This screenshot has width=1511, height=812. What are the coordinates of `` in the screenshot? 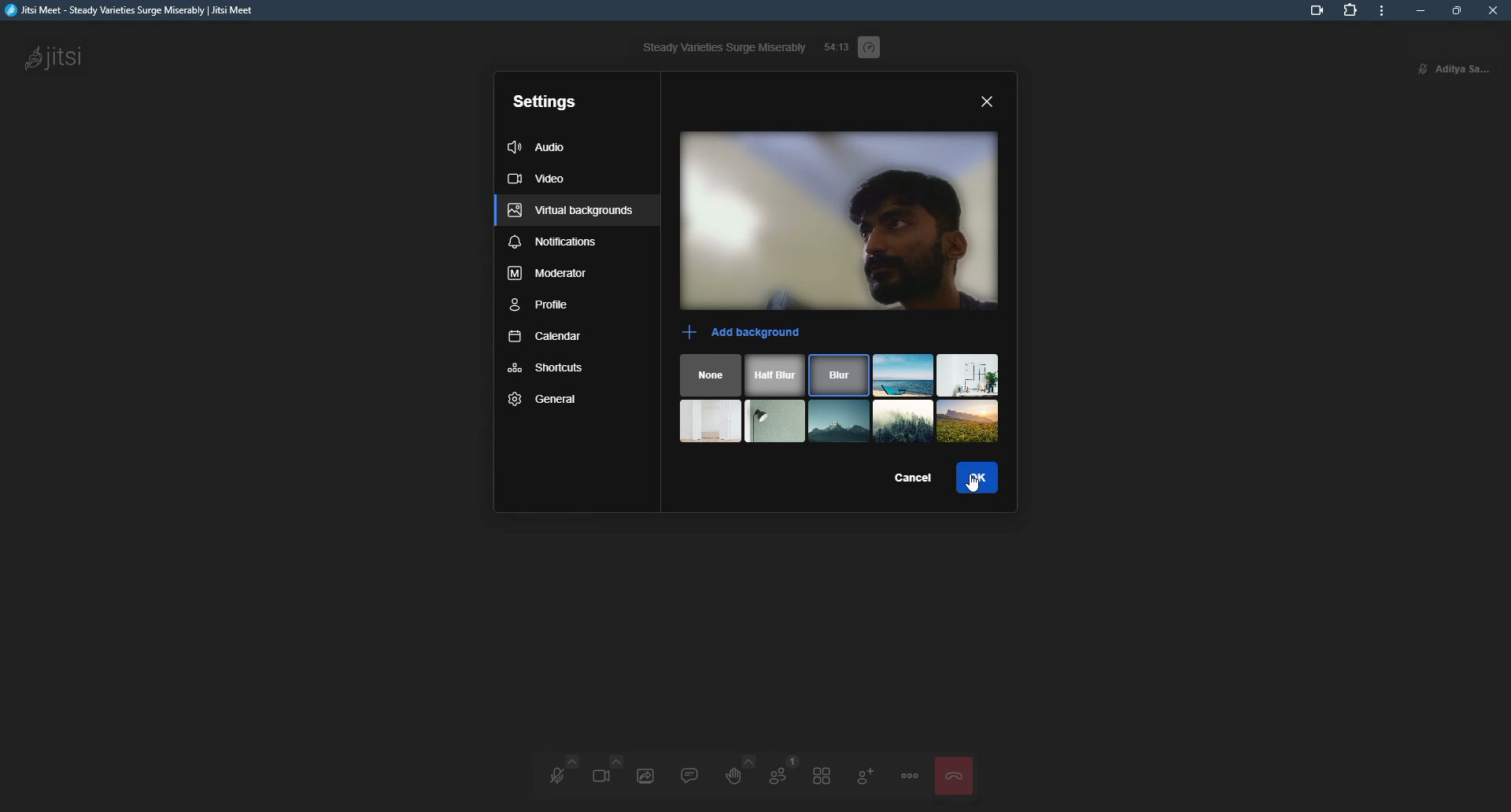 It's located at (548, 101).